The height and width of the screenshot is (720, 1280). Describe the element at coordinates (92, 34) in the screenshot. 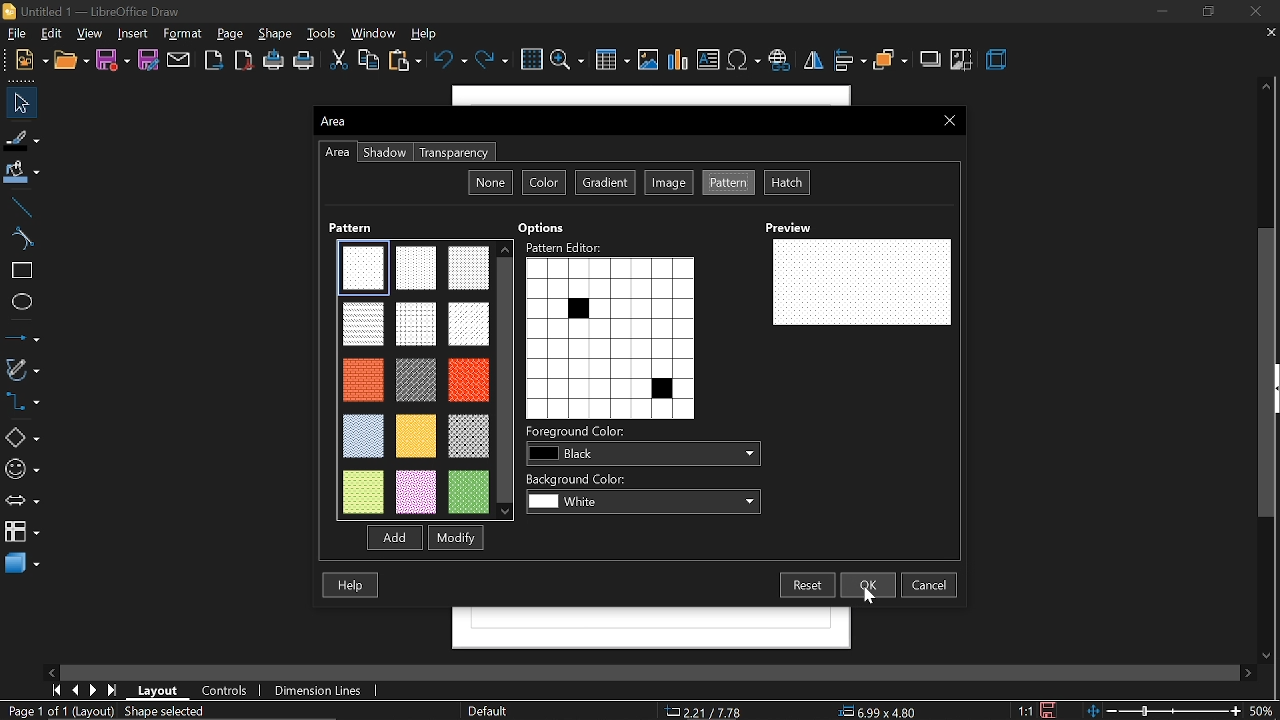

I see `view` at that location.